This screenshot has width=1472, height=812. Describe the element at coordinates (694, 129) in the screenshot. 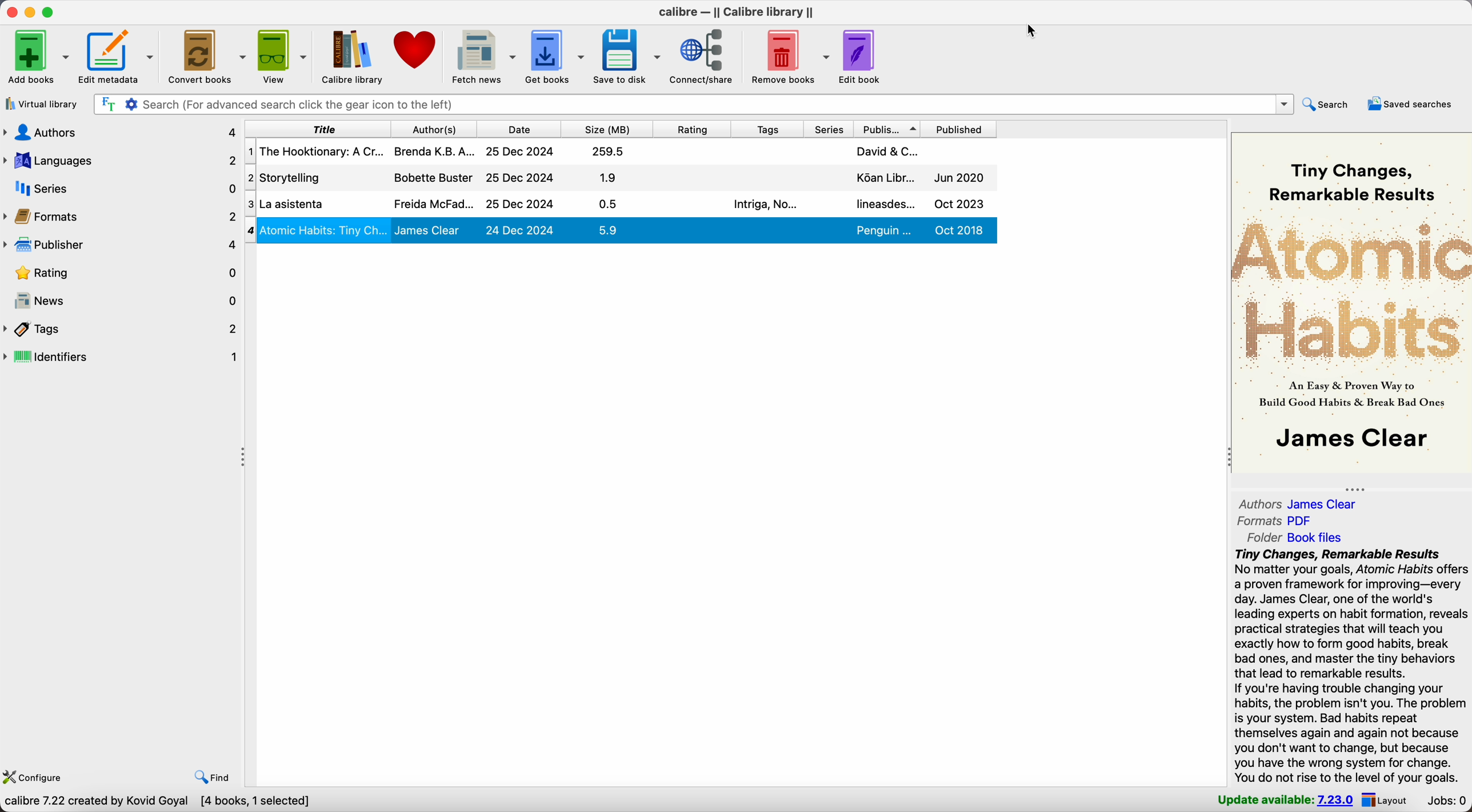

I see `rating` at that location.